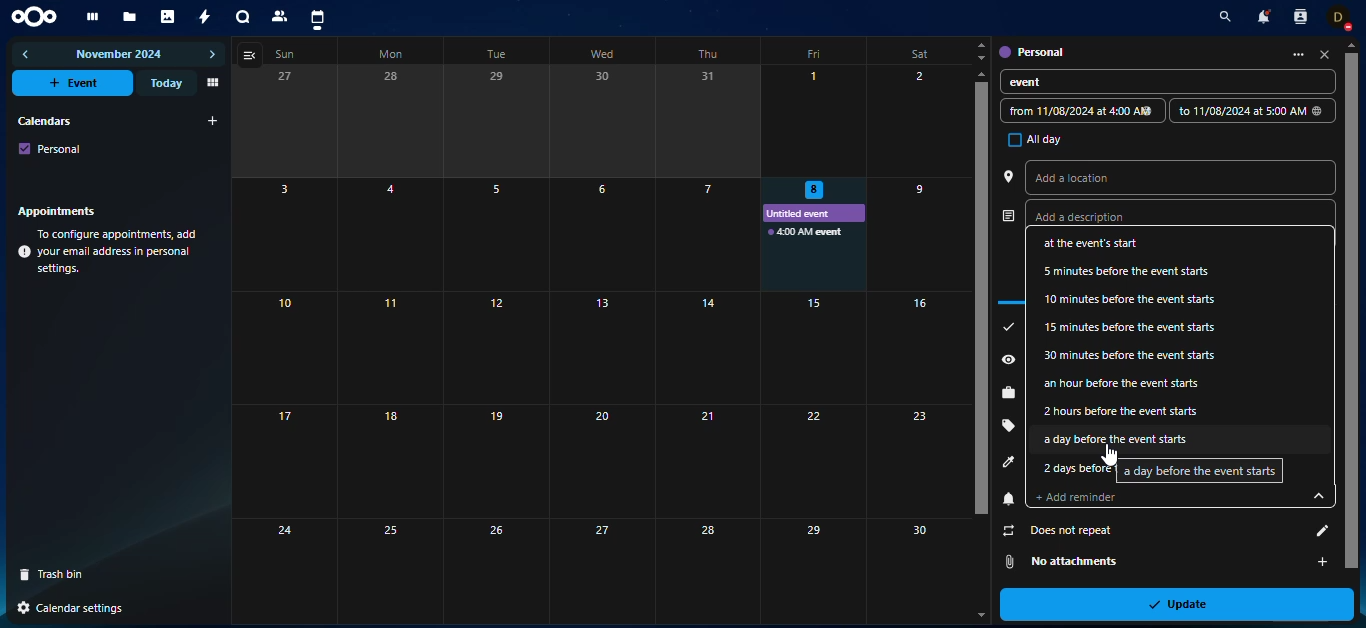 The width and height of the screenshot is (1366, 628). What do you see at coordinates (1031, 50) in the screenshot?
I see `personal` at bounding box center [1031, 50].